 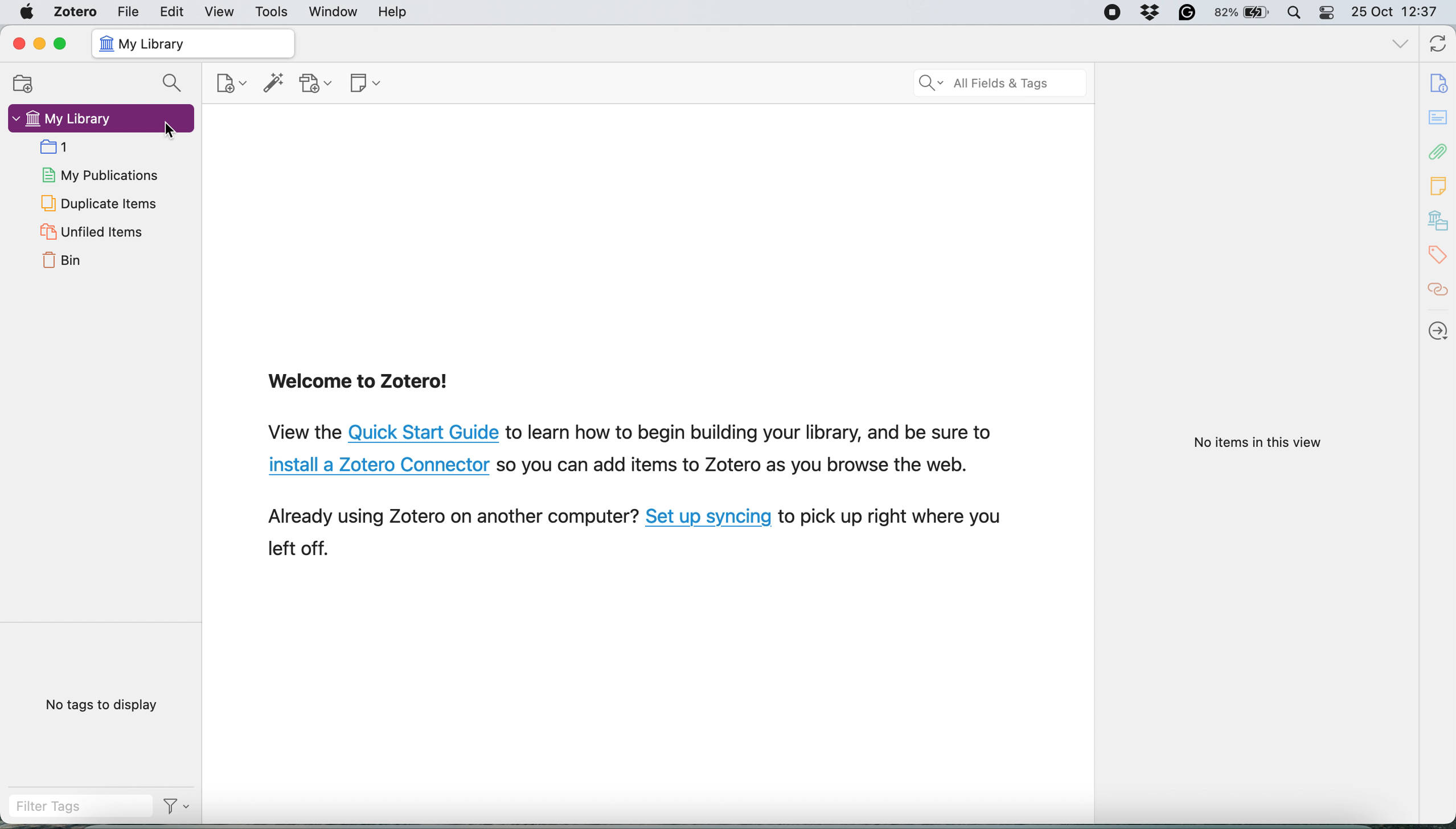 I want to click on new item, so click(x=231, y=84).